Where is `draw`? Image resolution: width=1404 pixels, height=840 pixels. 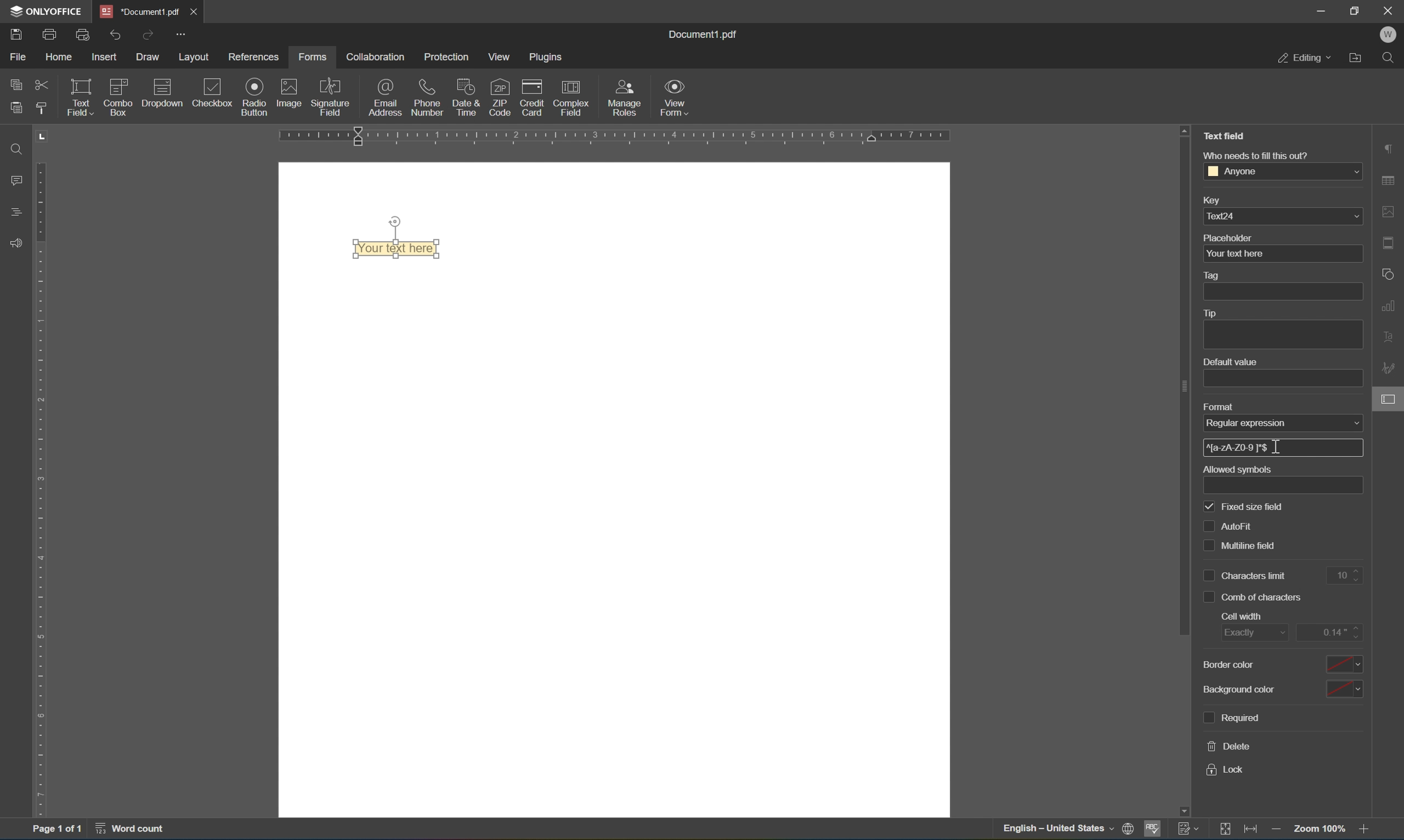
draw is located at coordinates (149, 57).